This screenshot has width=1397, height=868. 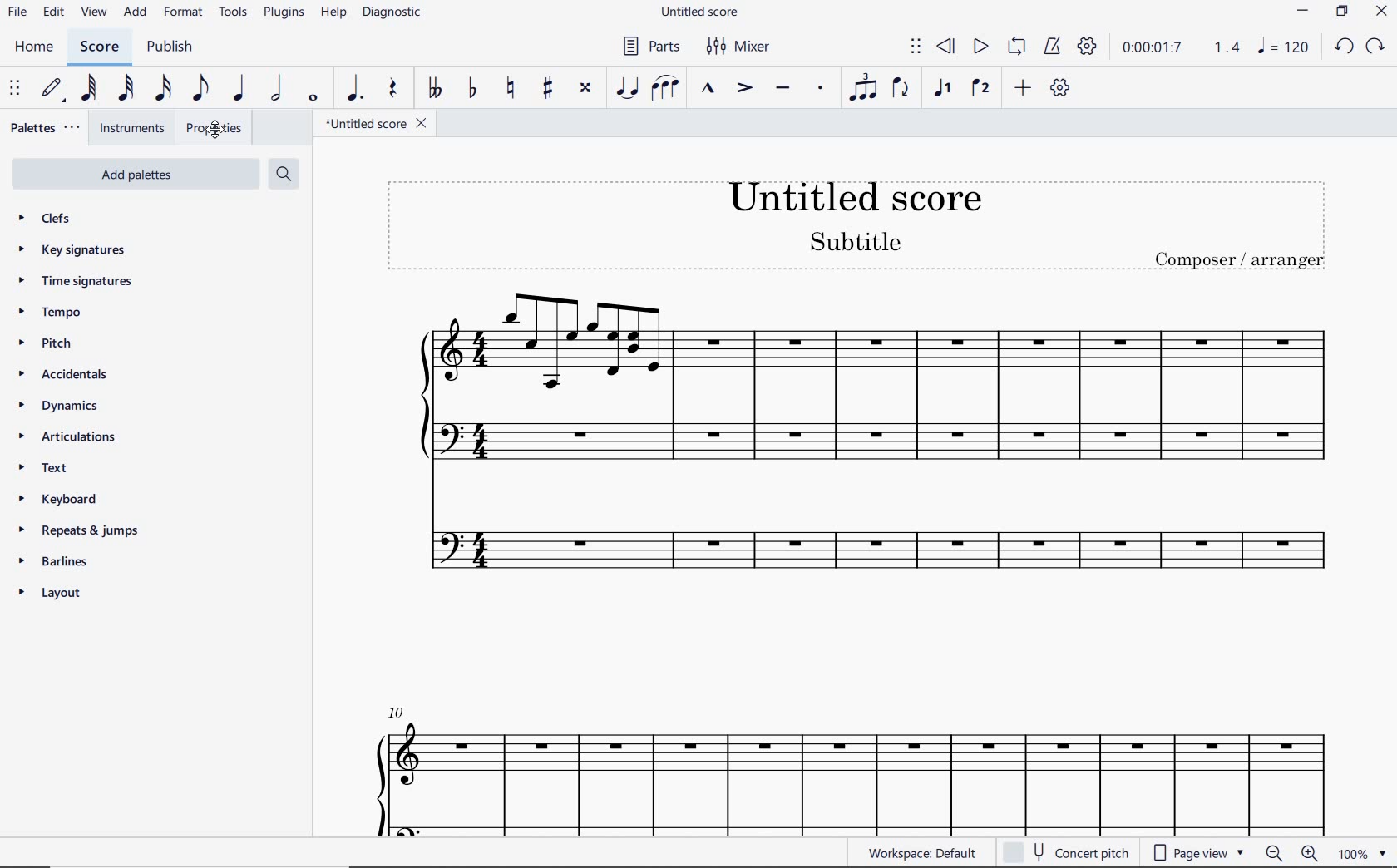 I want to click on keyboard, so click(x=61, y=504).